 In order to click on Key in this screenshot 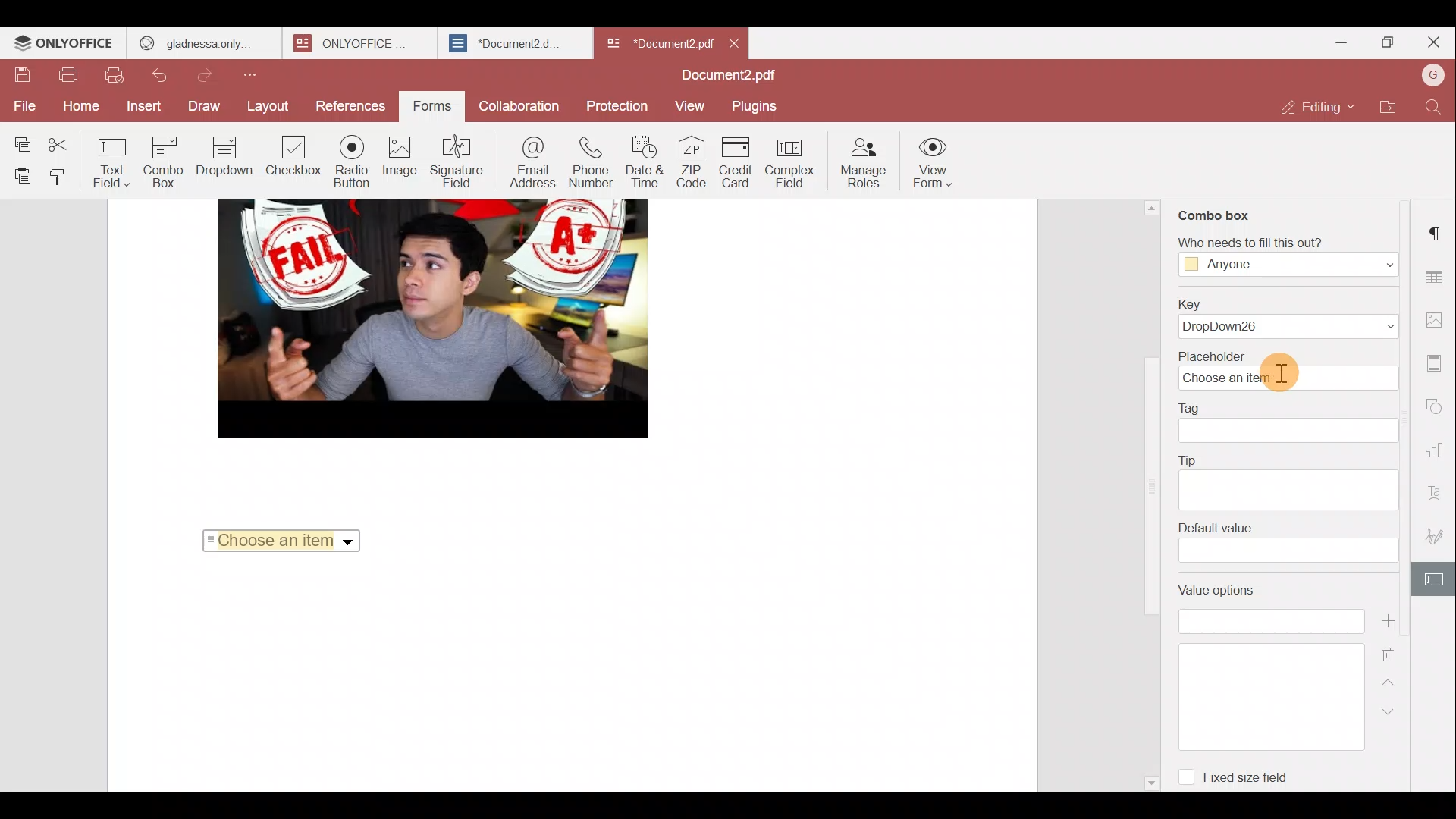, I will do `click(1288, 316)`.